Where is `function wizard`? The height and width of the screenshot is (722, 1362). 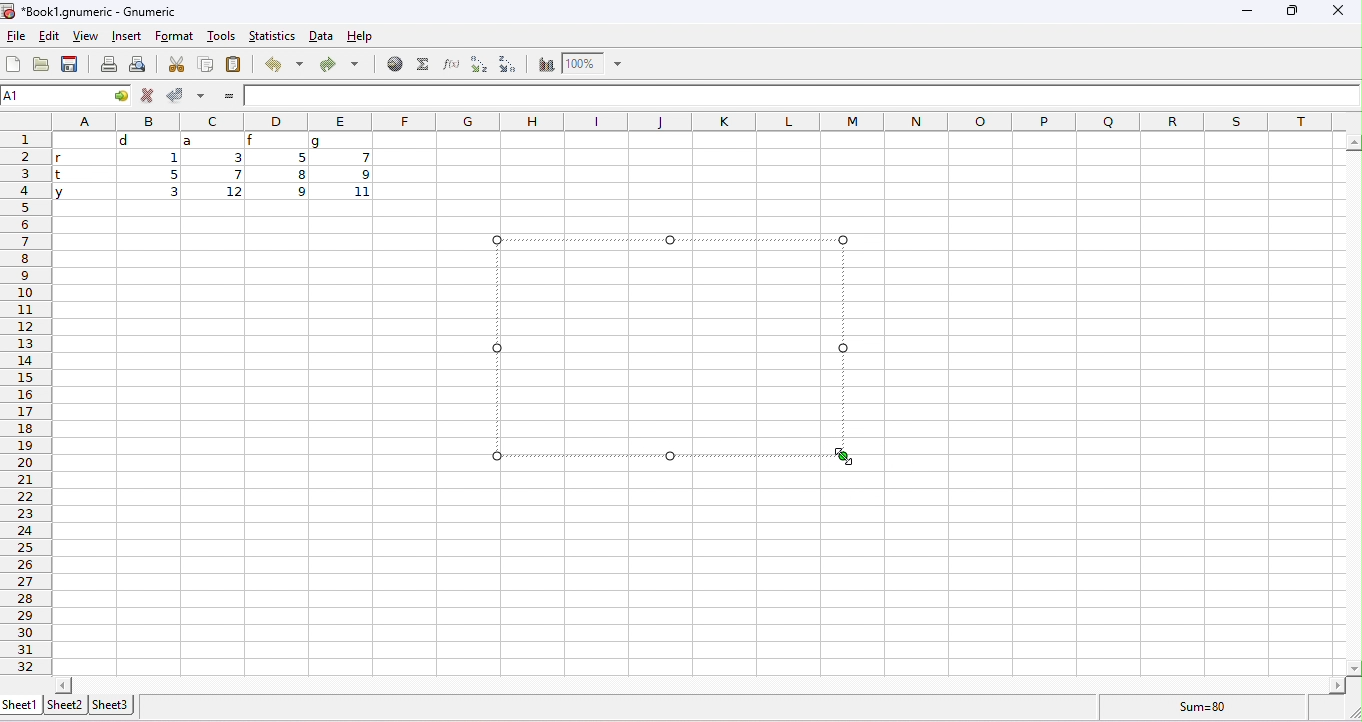
function wizard is located at coordinates (449, 63).